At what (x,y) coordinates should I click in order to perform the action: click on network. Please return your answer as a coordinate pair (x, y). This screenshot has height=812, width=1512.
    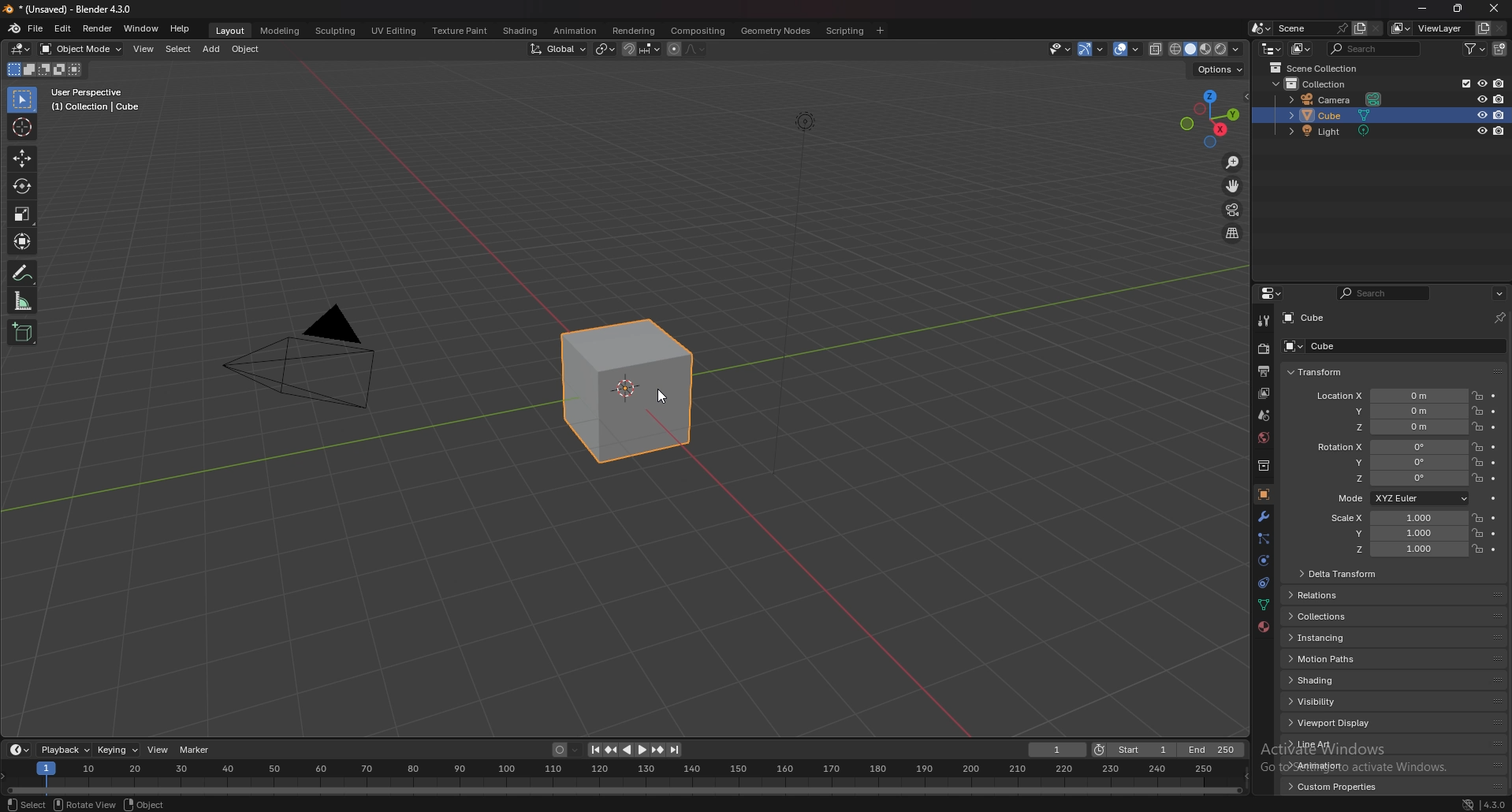
    Looking at the image, I should click on (1461, 803).